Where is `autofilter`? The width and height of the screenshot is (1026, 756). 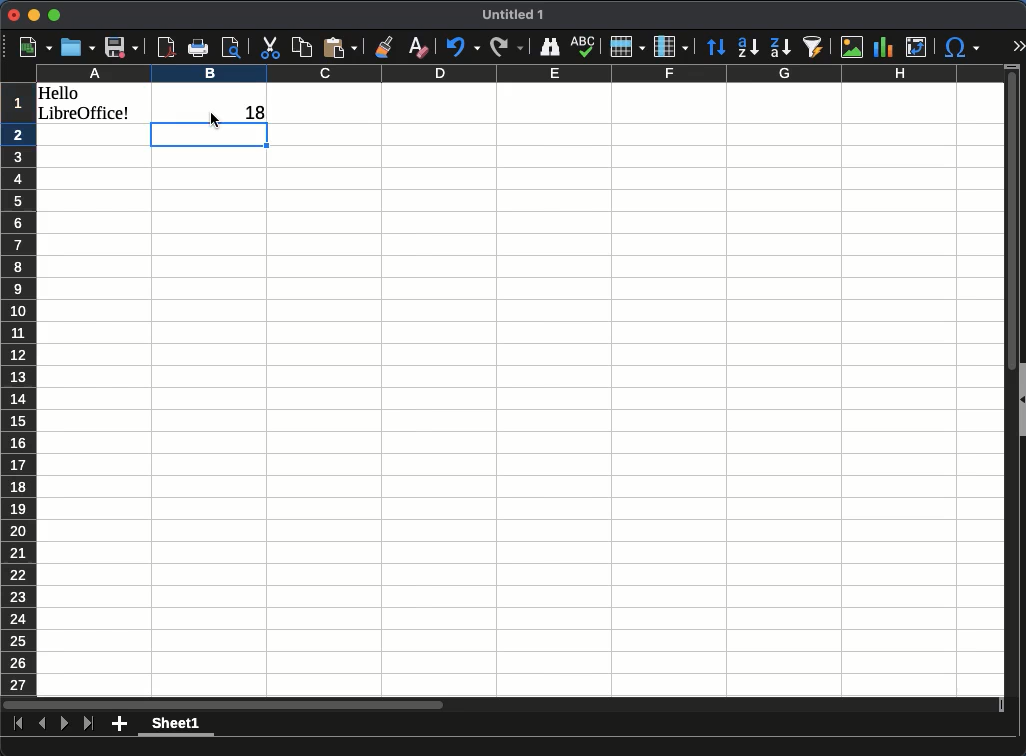
autofilter is located at coordinates (810, 44).